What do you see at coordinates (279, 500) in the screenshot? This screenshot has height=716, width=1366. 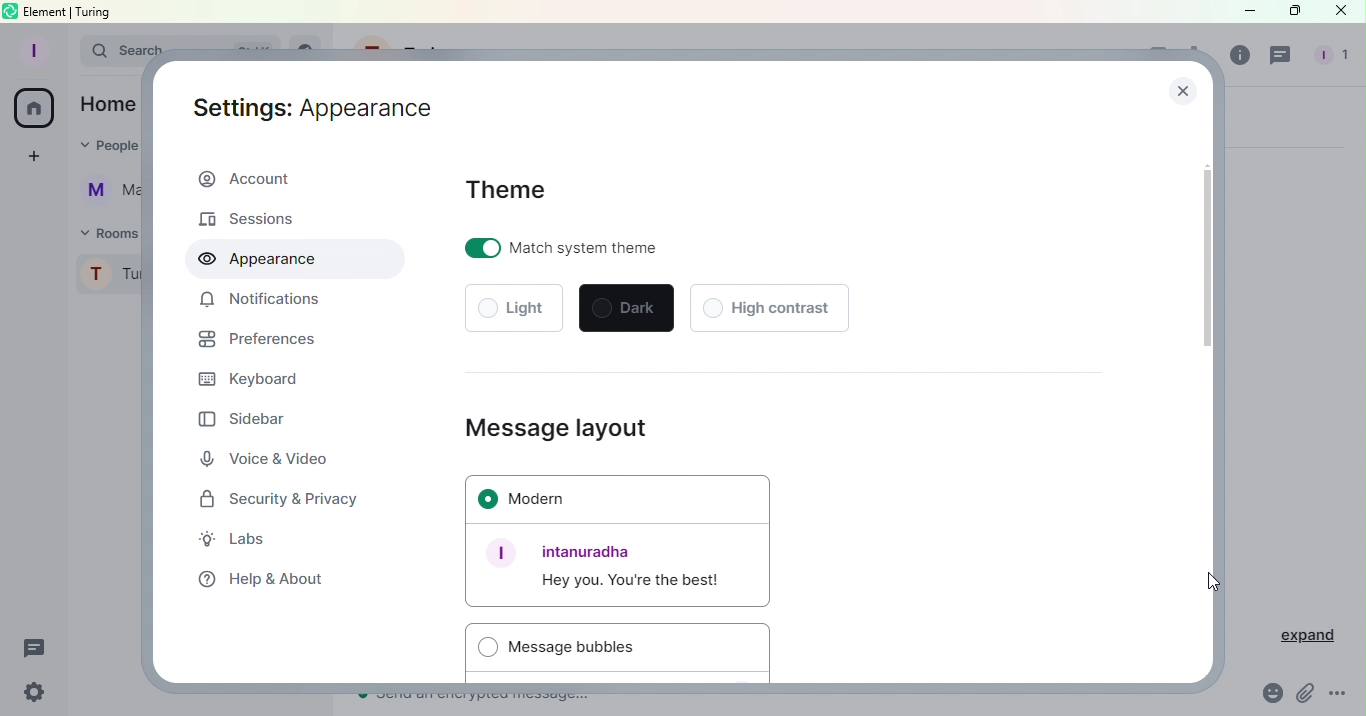 I see `Security and Privacy` at bounding box center [279, 500].